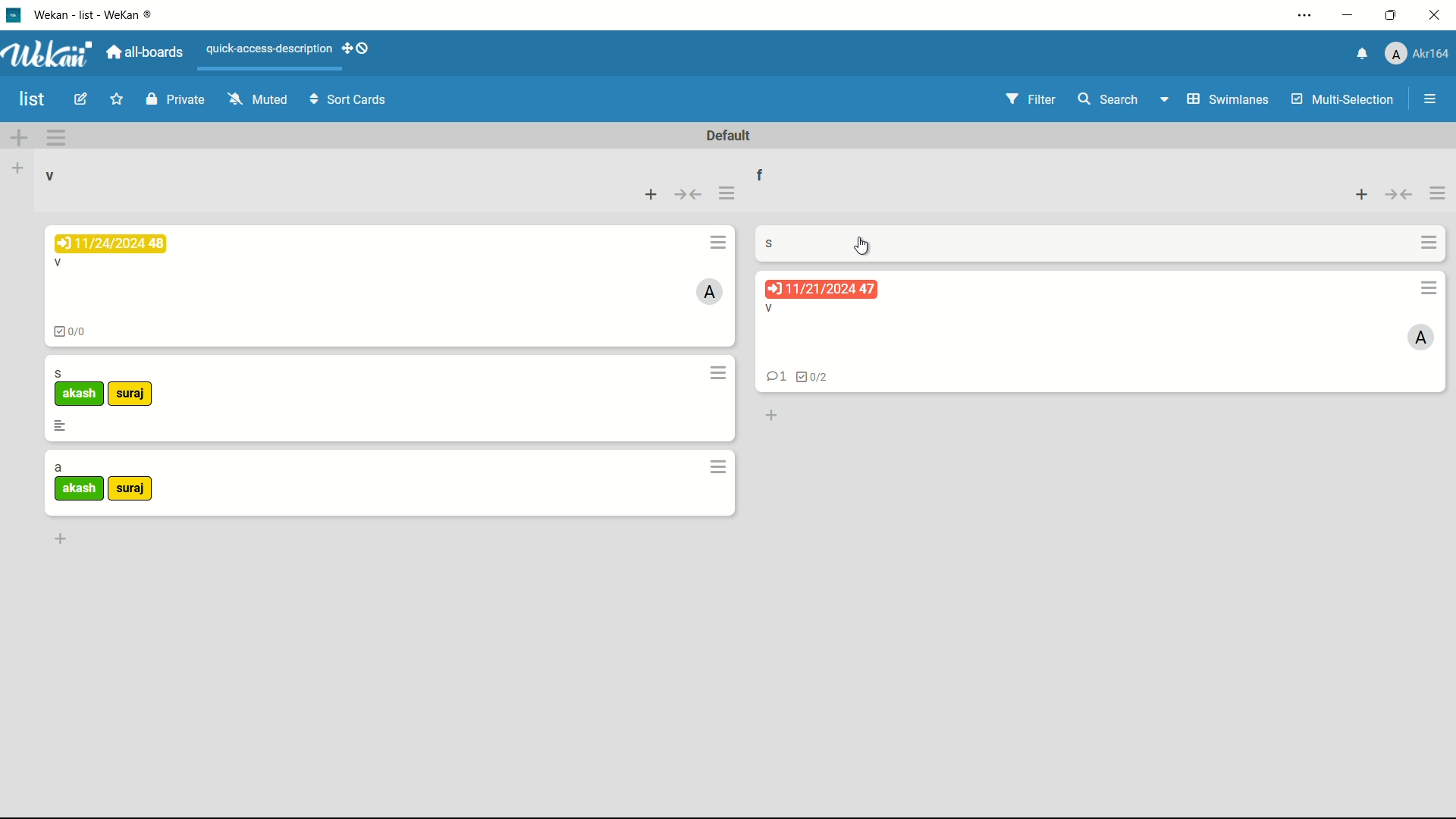  Describe the element at coordinates (1435, 17) in the screenshot. I see `close app` at that location.